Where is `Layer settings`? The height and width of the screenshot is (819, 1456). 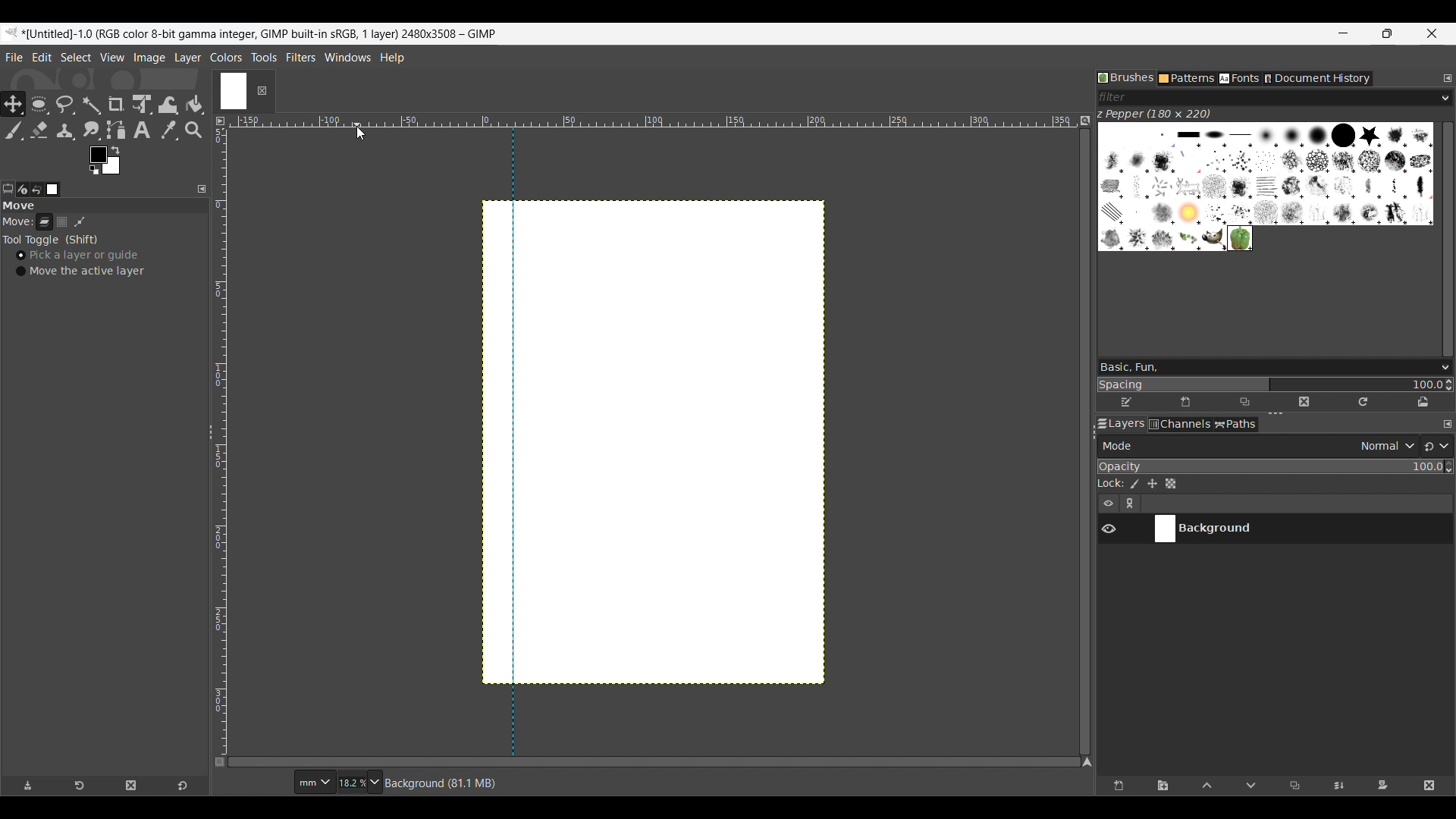 Layer settings is located at coordinates (1120, 504).